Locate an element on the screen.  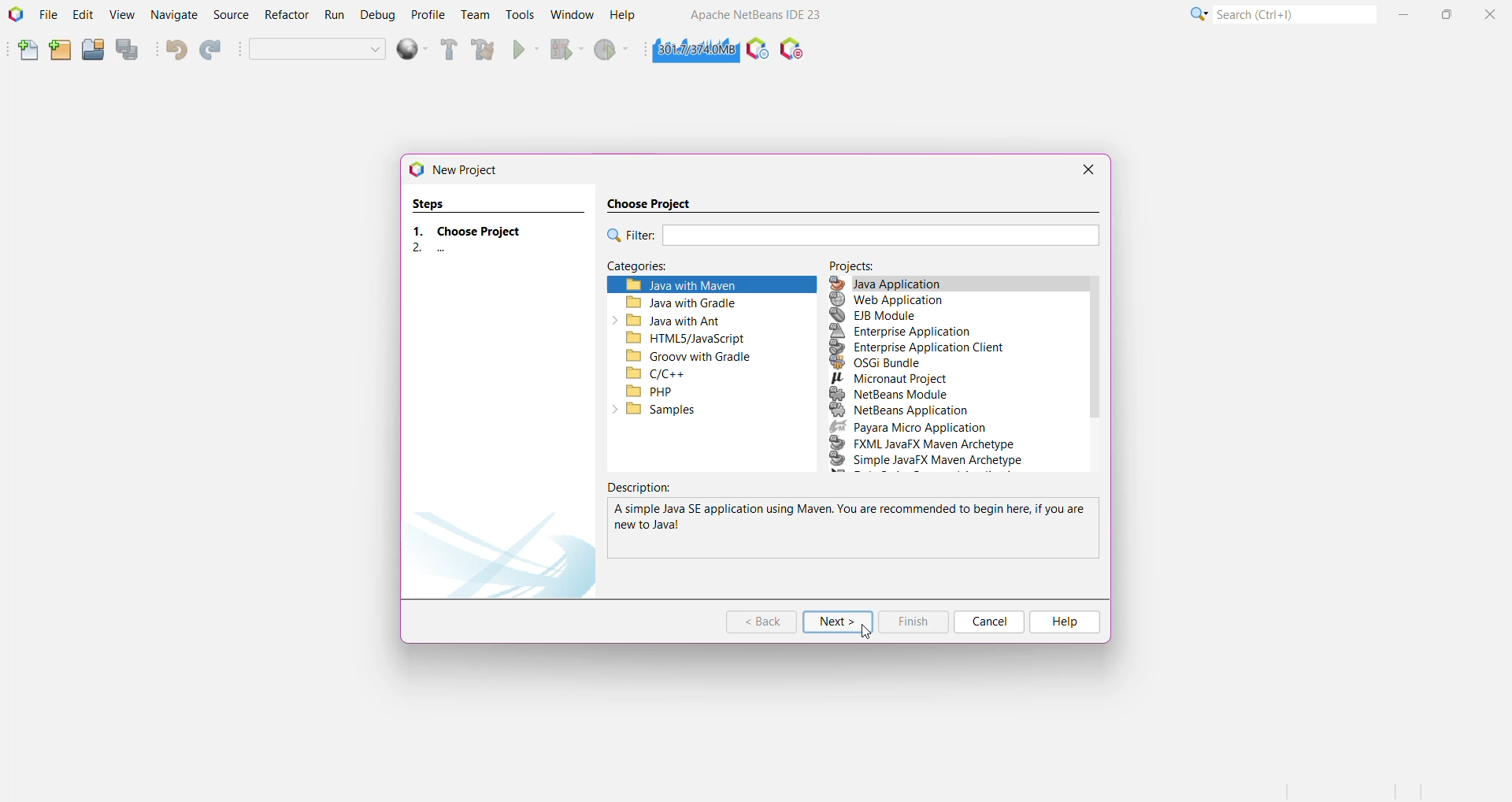
Description is located at coordinates (640, 485).